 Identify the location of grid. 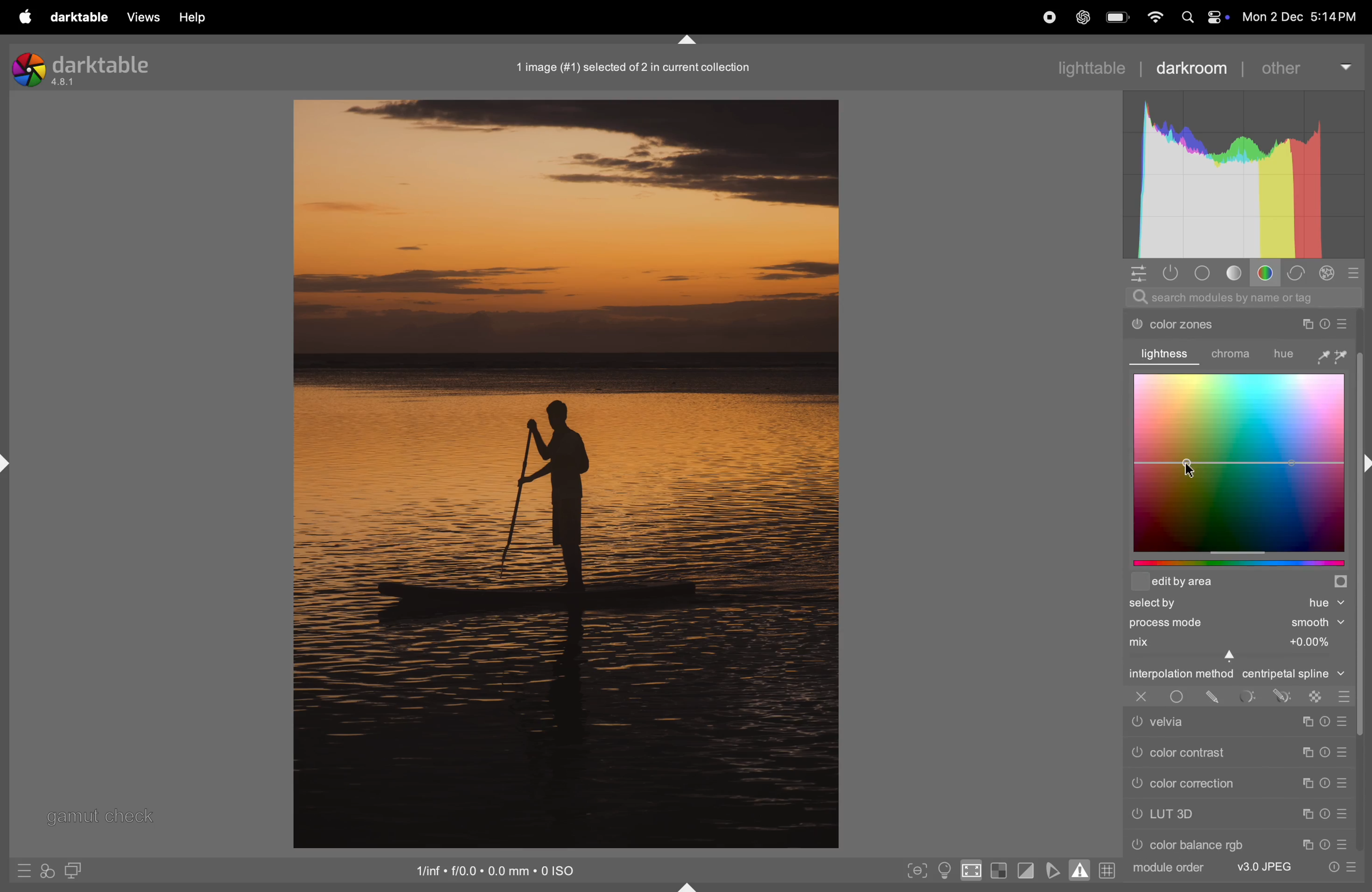
(1110, 870).